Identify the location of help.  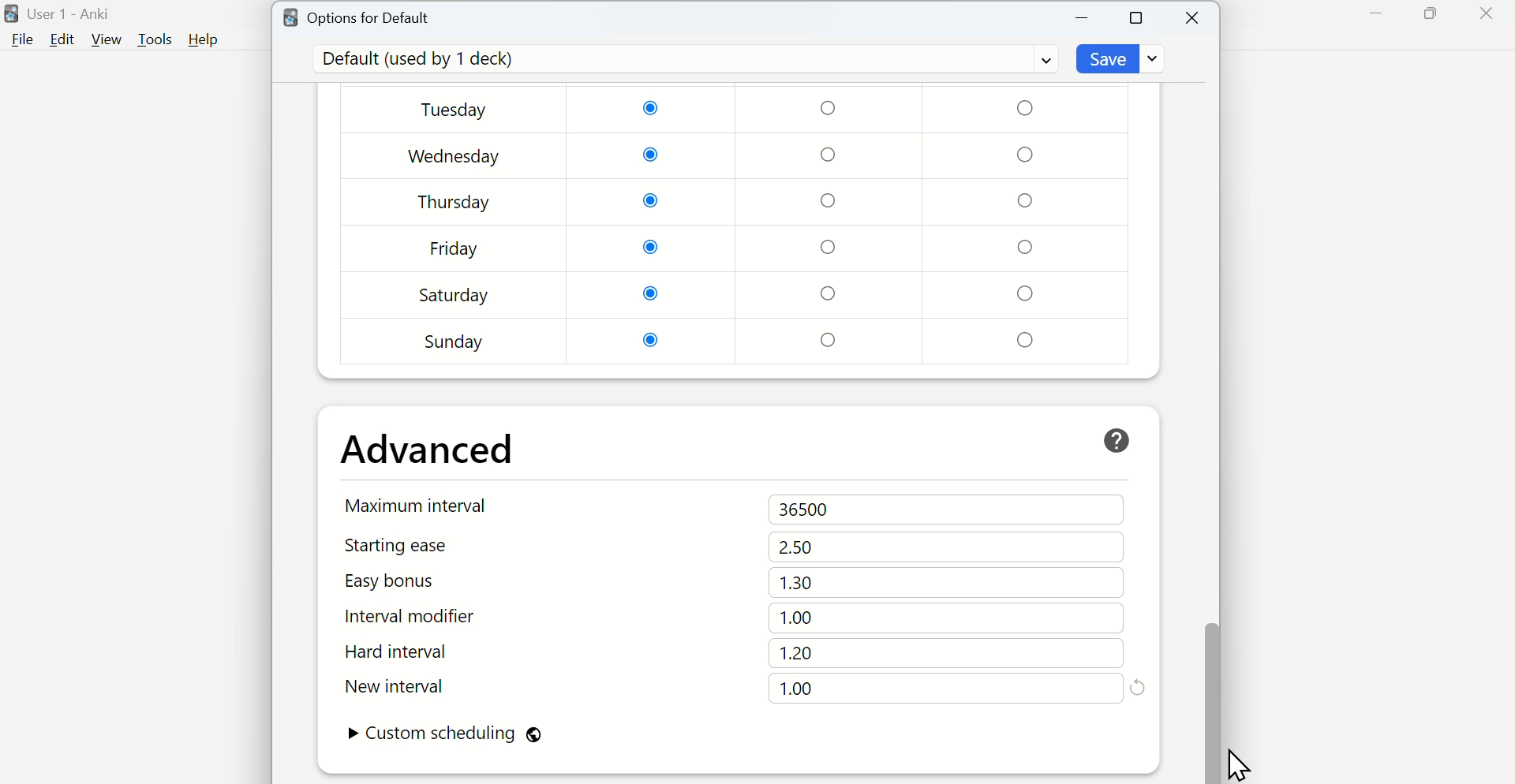
(1117, 441).